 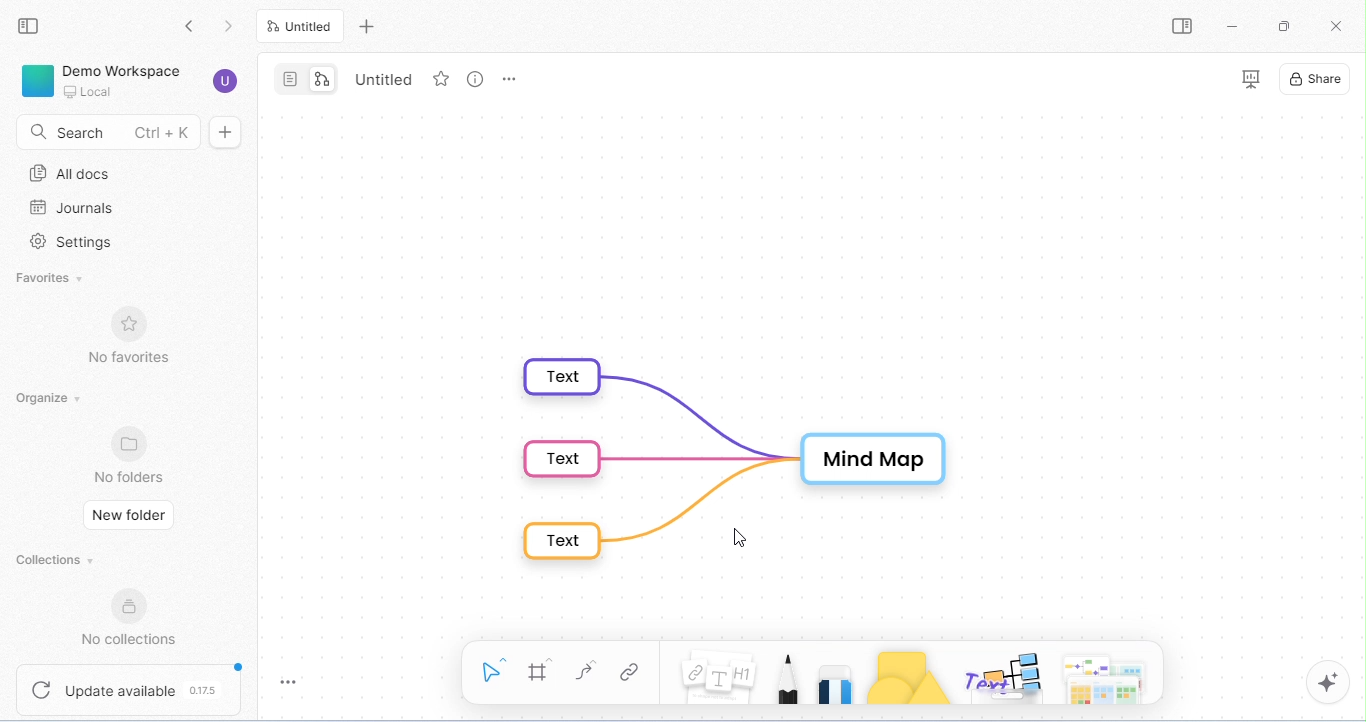 What do you see at coordinates (71, 209) in the screenshot?
I see `journal` at bounding box center [71, 209].